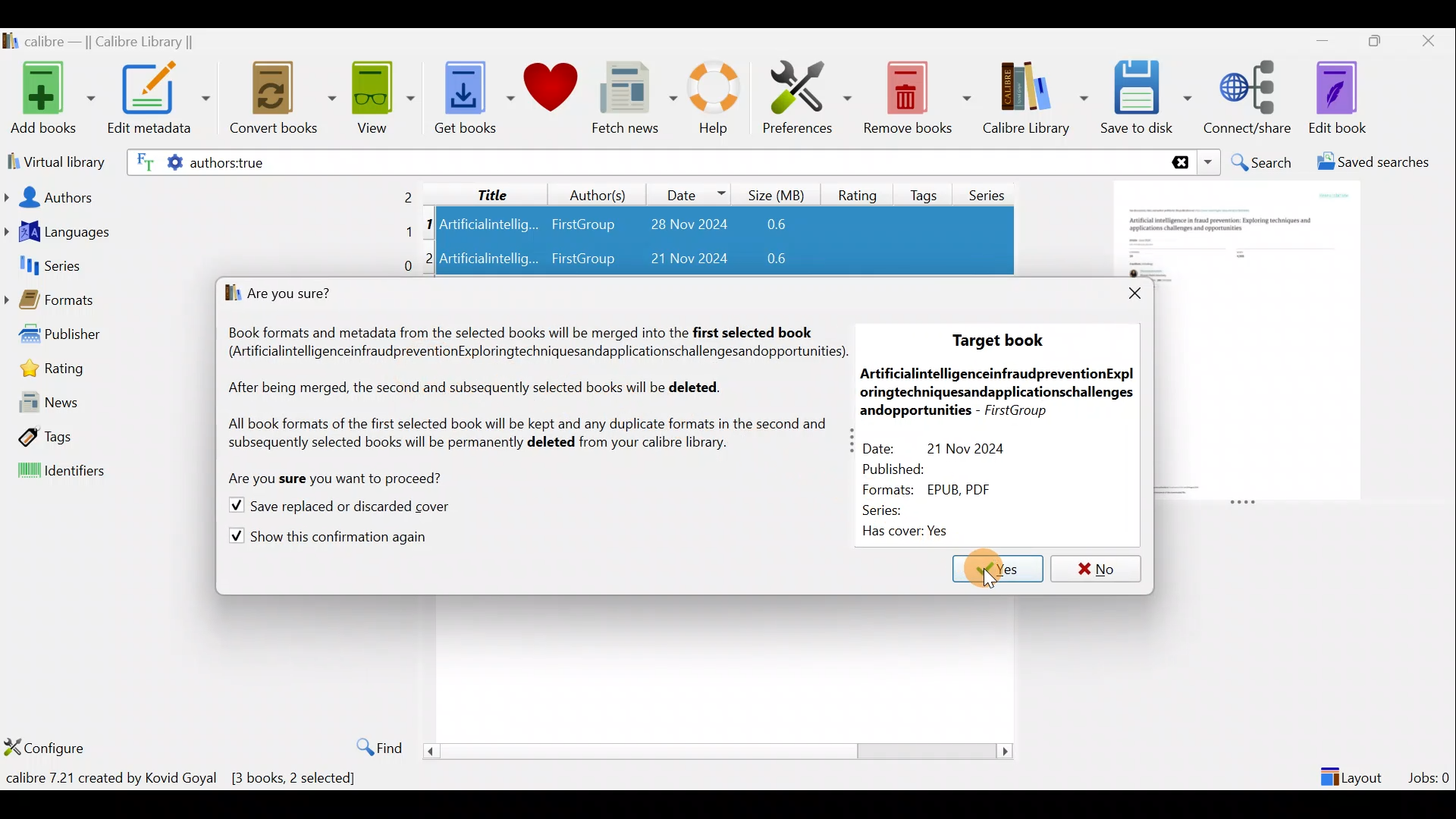 This screenshot has height=819, width=1456. I want to click on Configure, so click(49, 747).